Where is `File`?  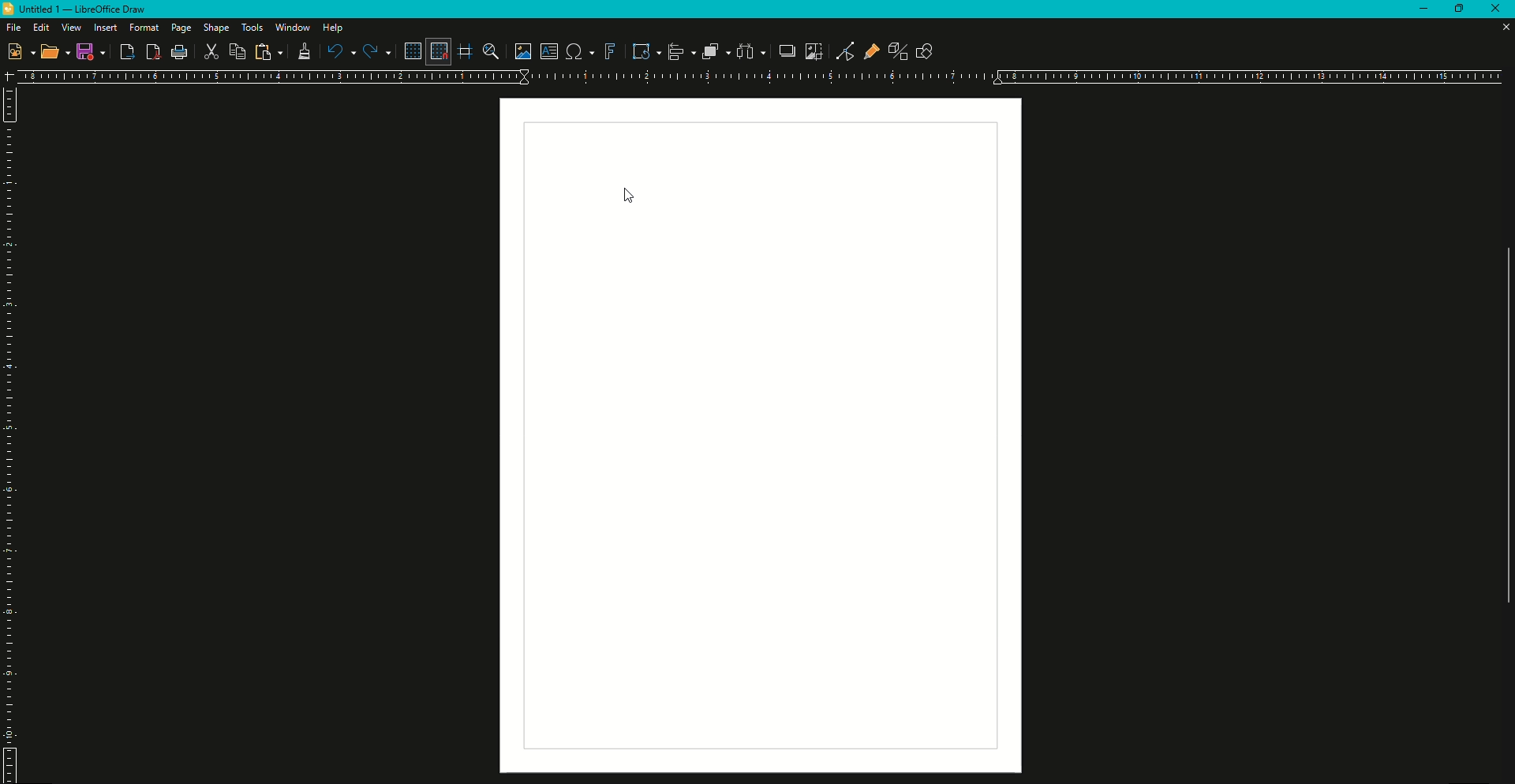
File is located at coordinates (13, 27).